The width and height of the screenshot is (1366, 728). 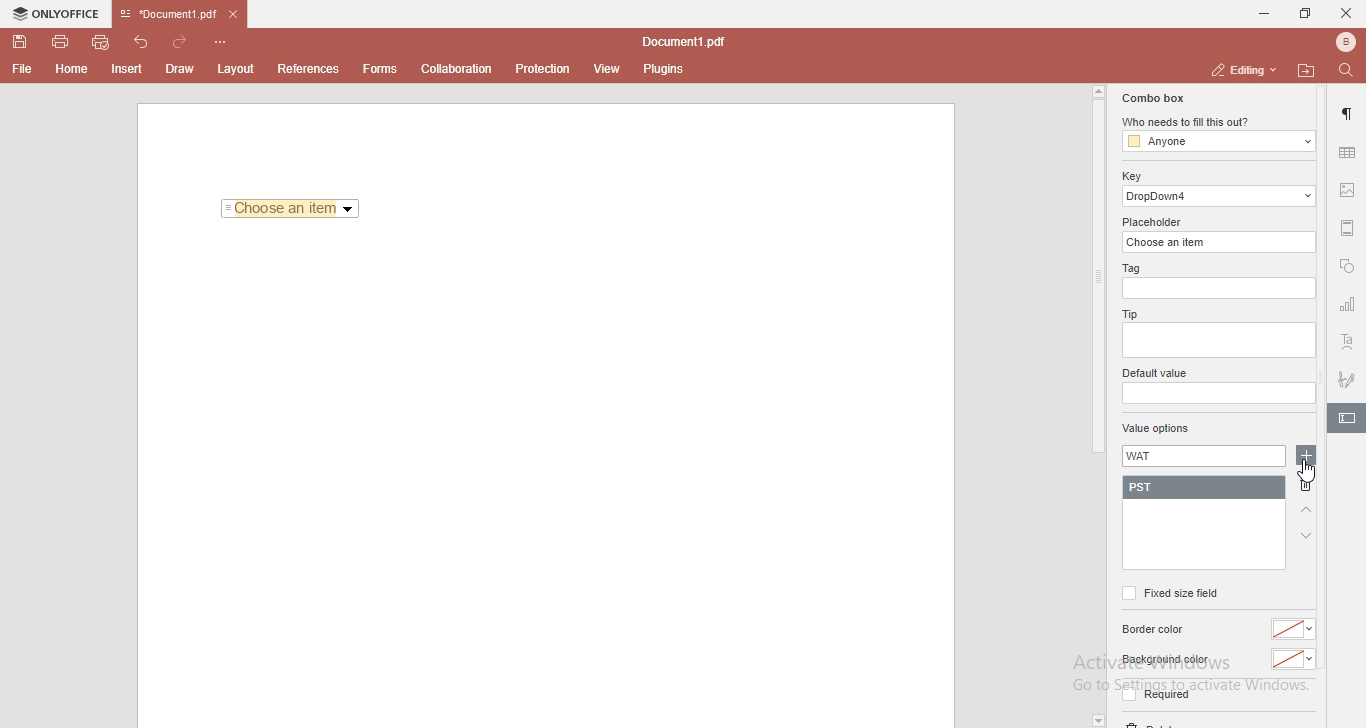 I want to click on arrow up, so click(x=1307, y=511).